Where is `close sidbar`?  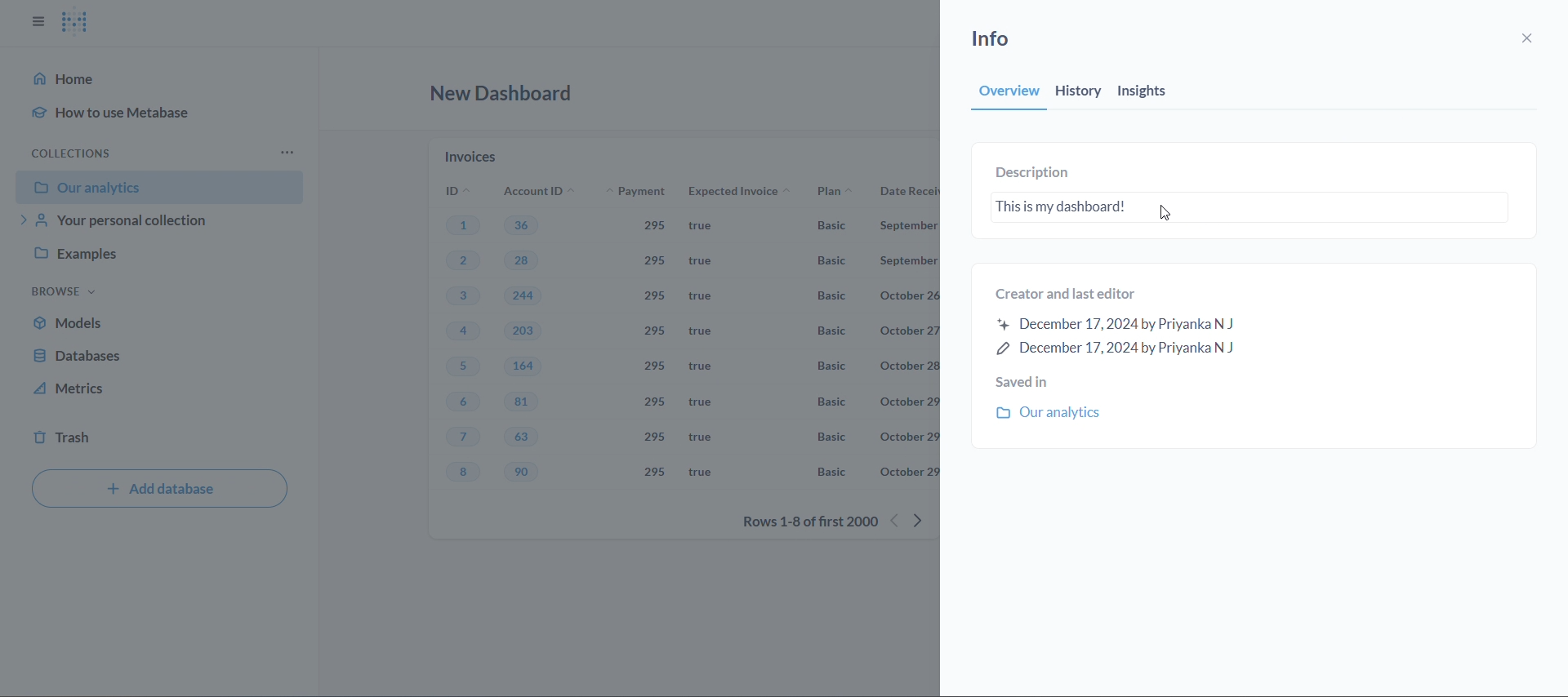
close sidbar is located at coordinates (36, 22).